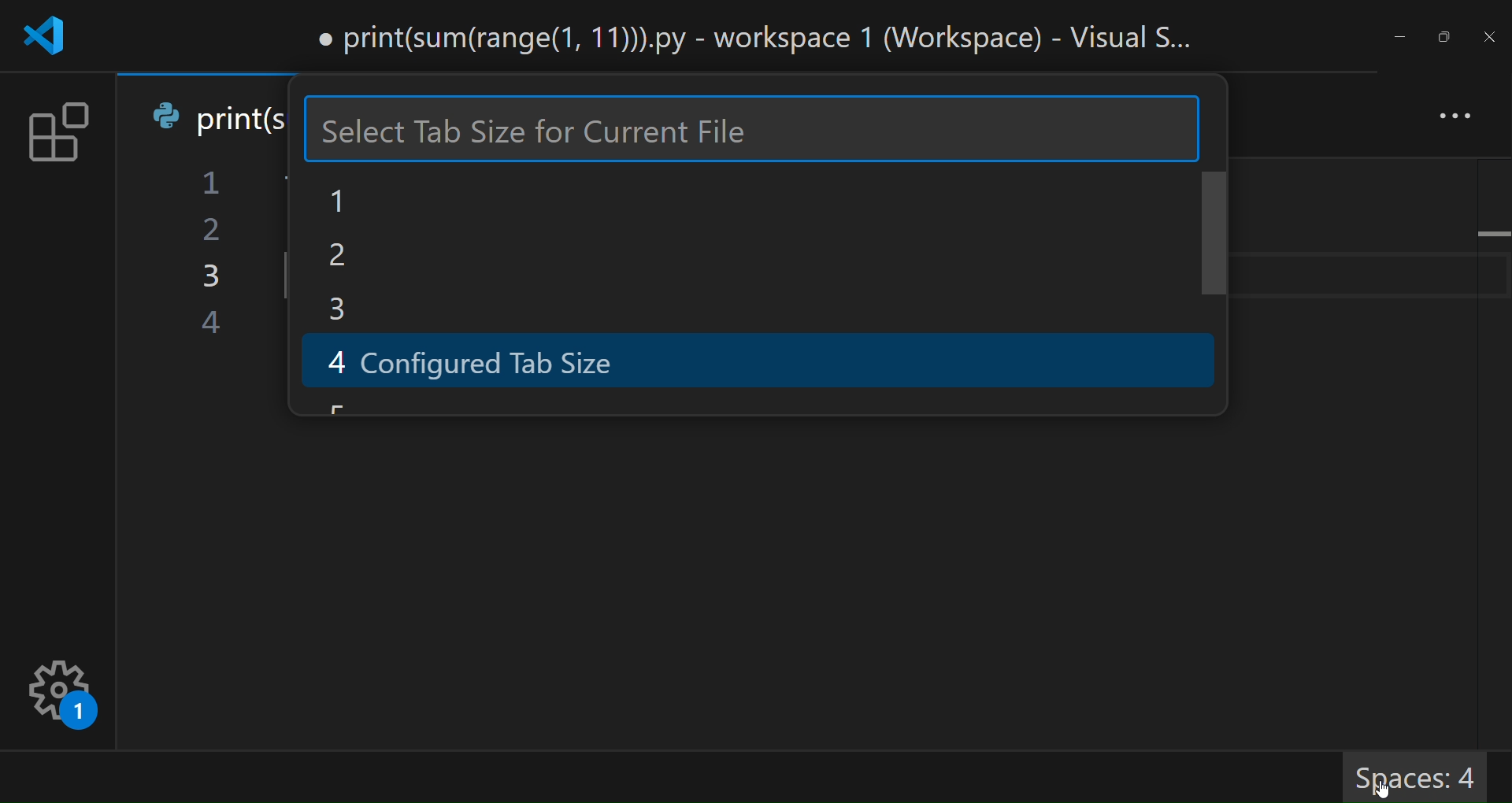 The width and height of the screenshot is (1512, 803). Describe the element at coordinates (362, 256) in the screenshot. I see `2` at that location.